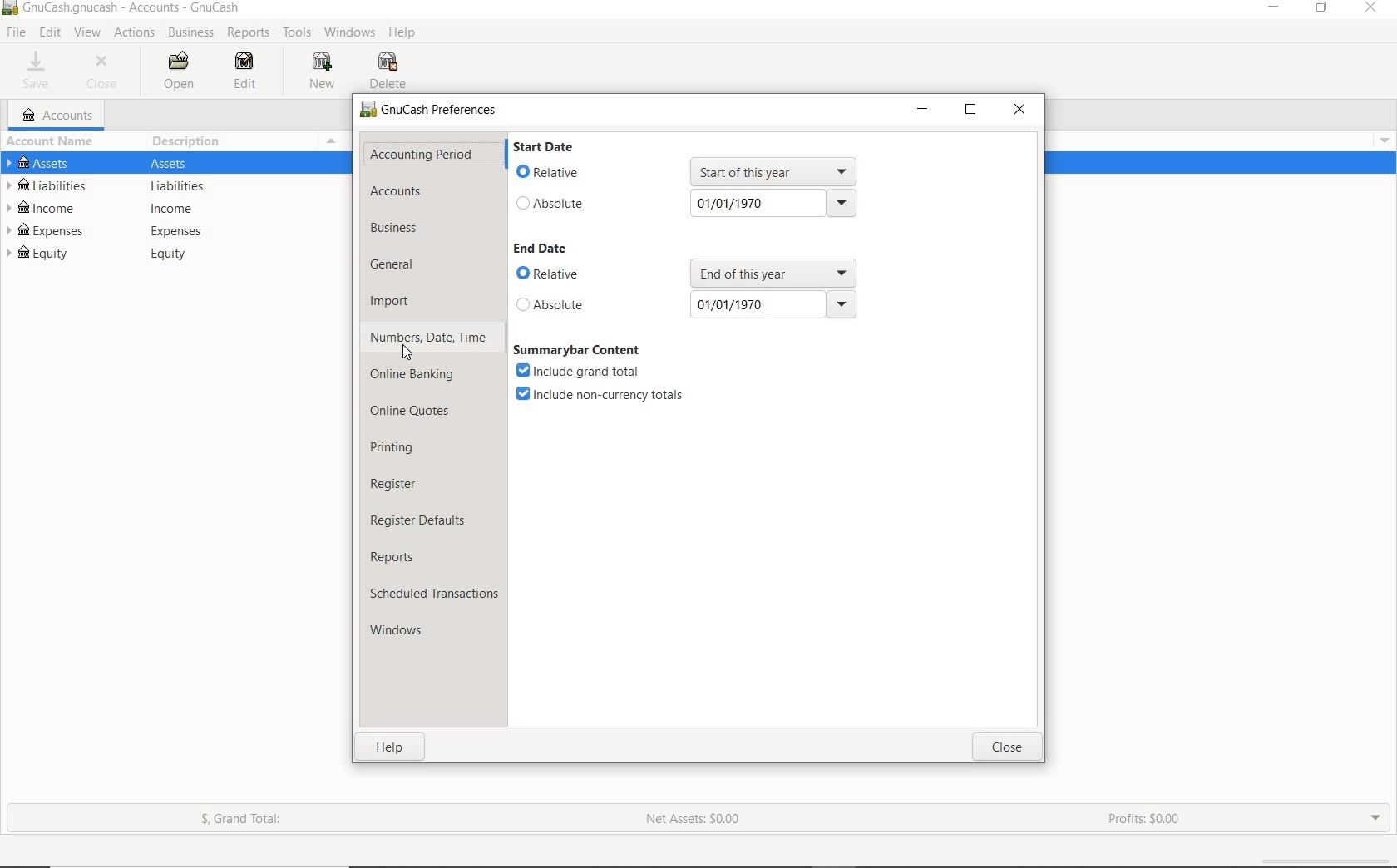 Image resolution: width=1397 pixels, height=868 pixels. What do you see at coordinates (417, 412) in the screenshot?
I see `online quotes` at bounding box center [417, 412].